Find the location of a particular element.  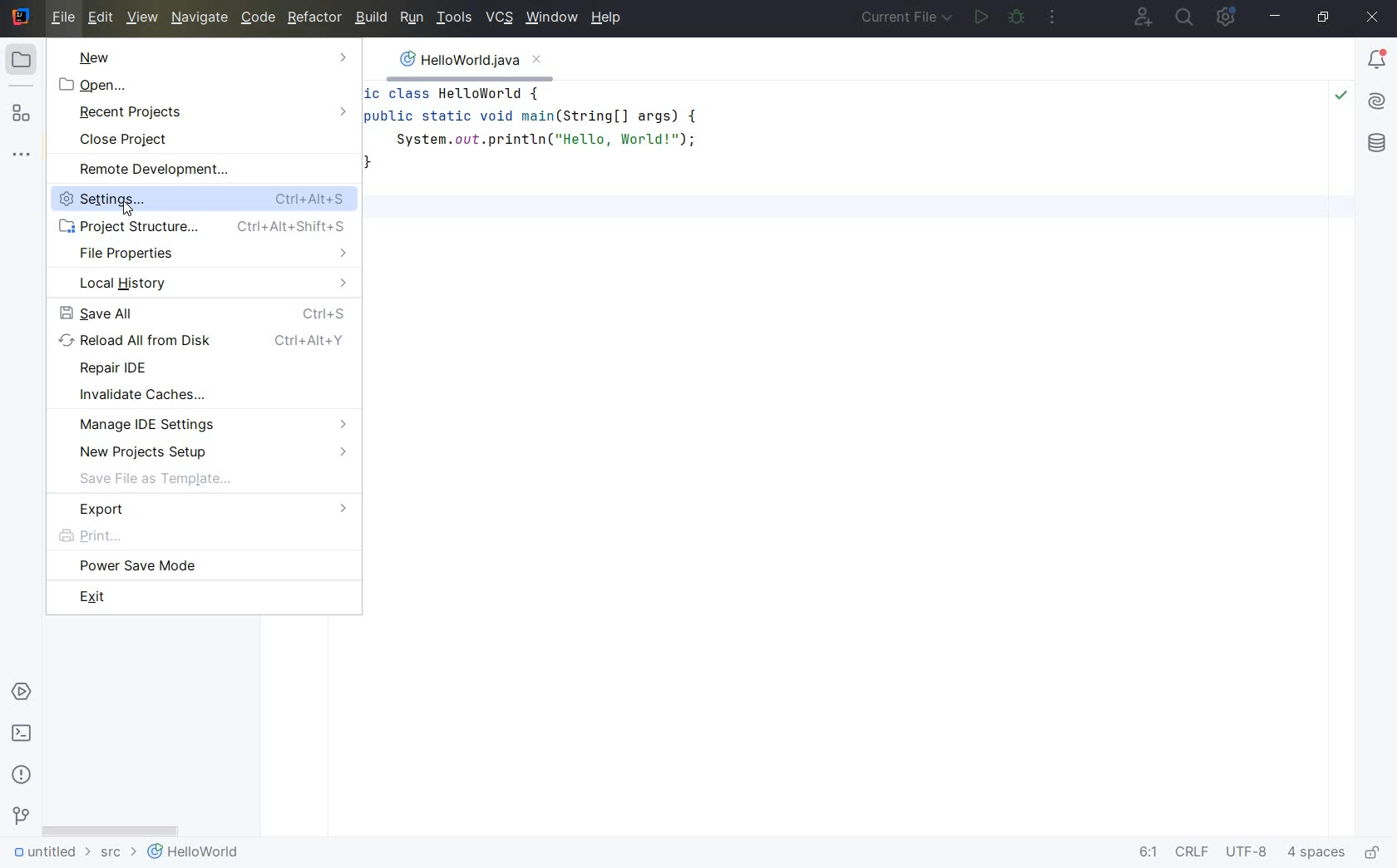

minimize is located at coordinates (1277, 17).